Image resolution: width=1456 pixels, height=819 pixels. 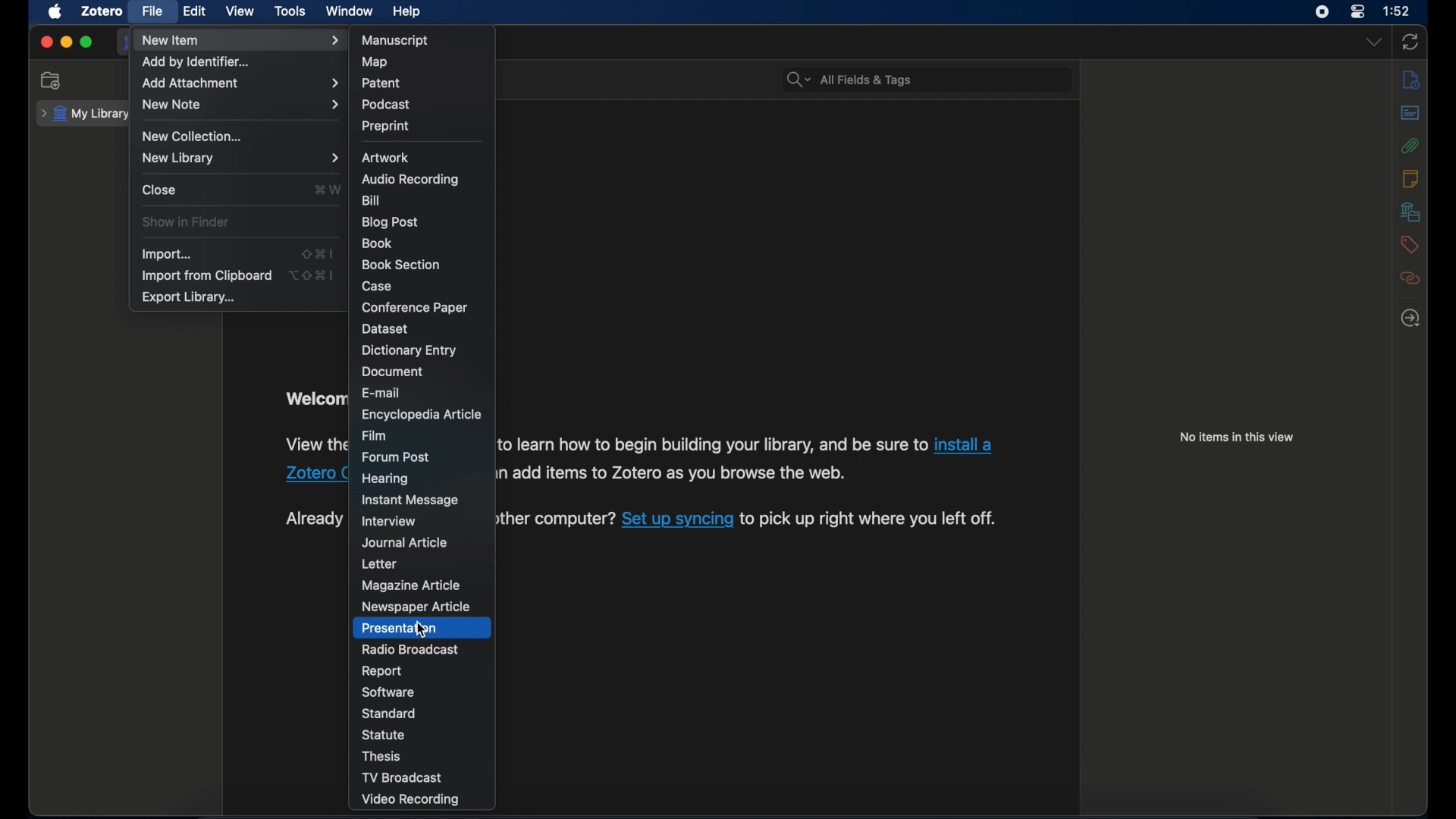 What do you see at coordinates (385, 734) in the screenshot?
I see `statue` at bounding box center [385, 734].